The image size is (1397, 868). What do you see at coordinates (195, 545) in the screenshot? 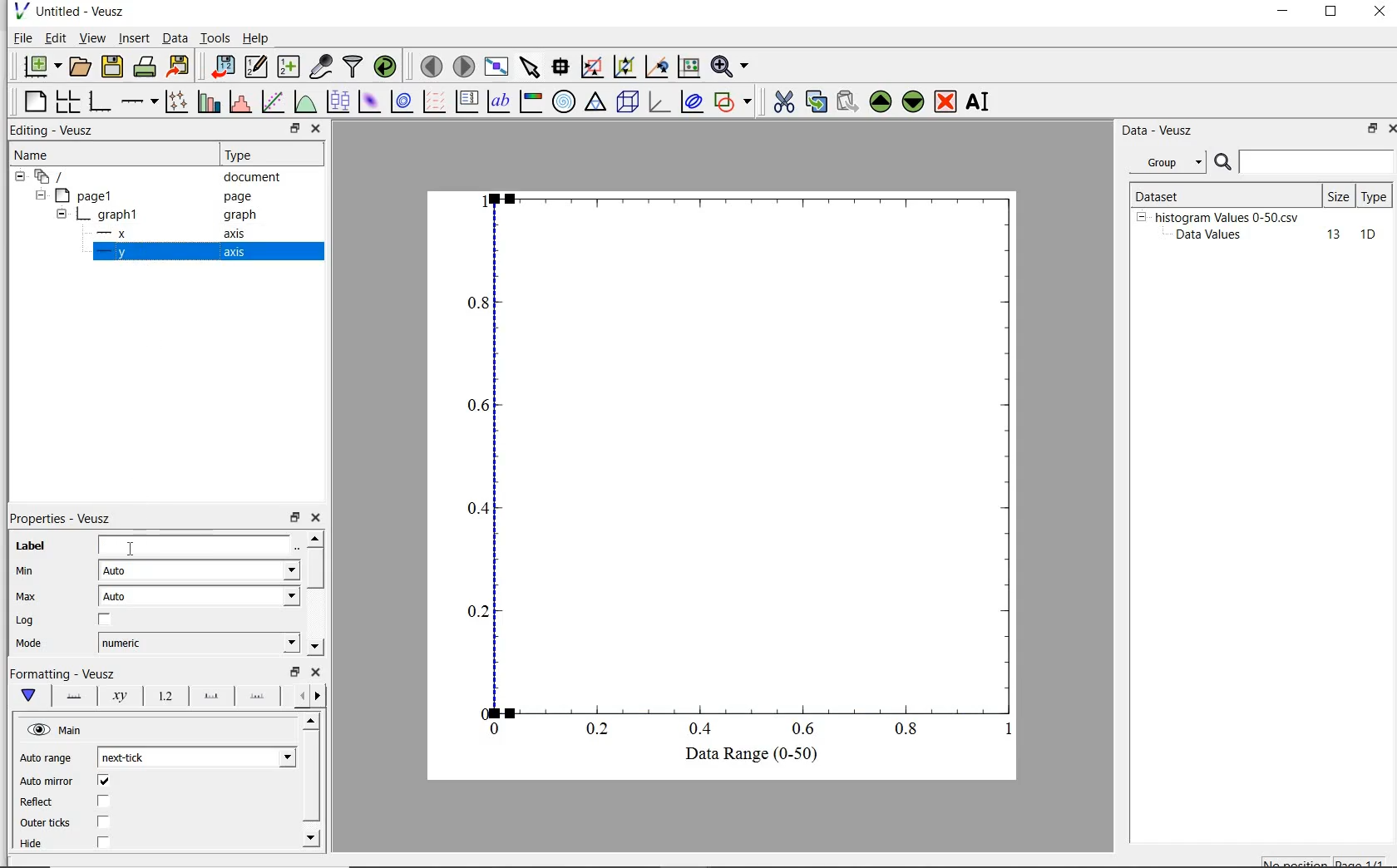
I see ` Data Range (0-50)` at bounding box center [195, 545].